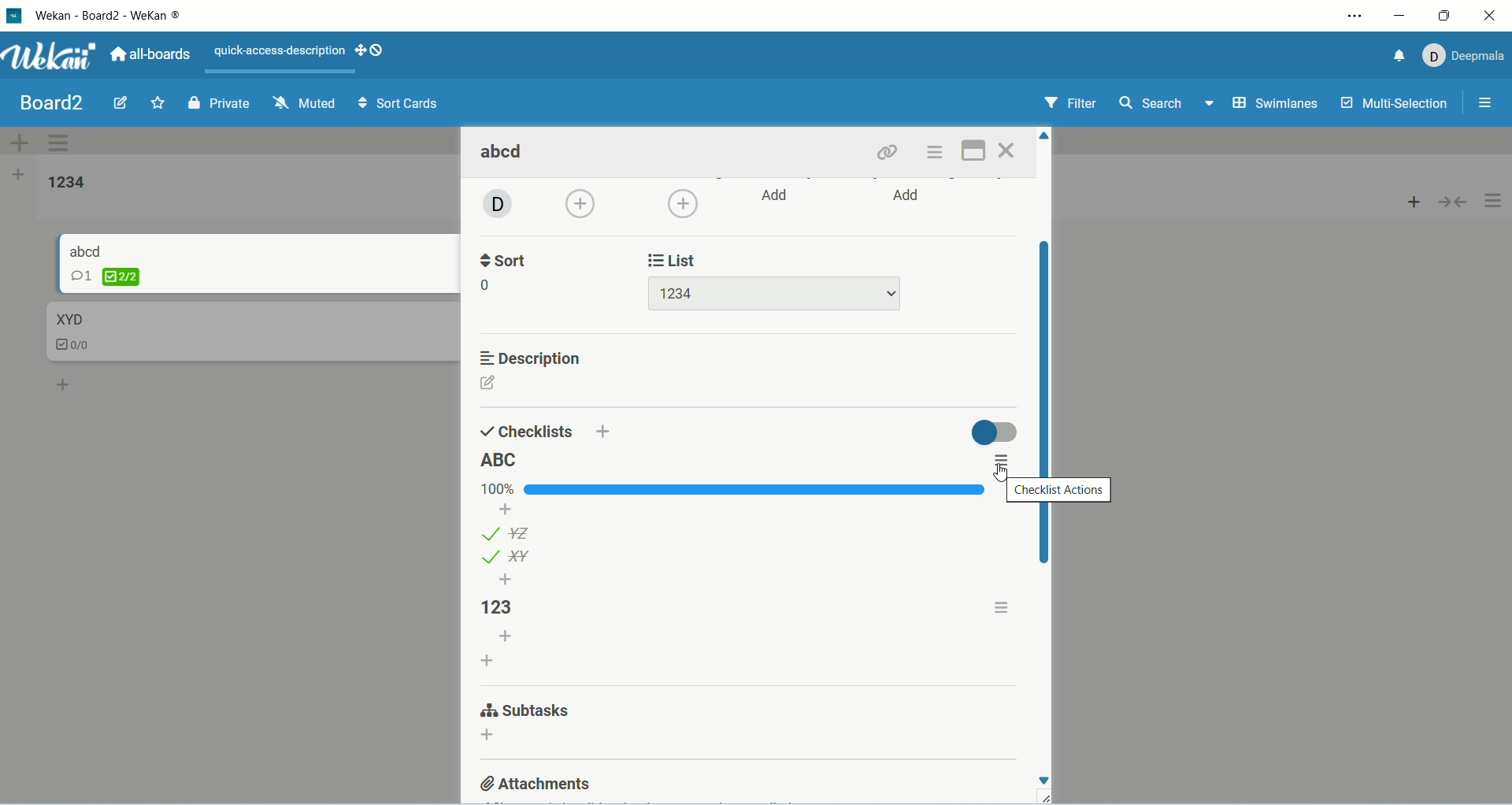 The height and width of the screenshot is (805, 1512). What do you see at coordinates (369, 50) in the screenshot?
I see `SHOW-DESKTOP-DRAG-HANDLES` at bounding box center [369, 50].